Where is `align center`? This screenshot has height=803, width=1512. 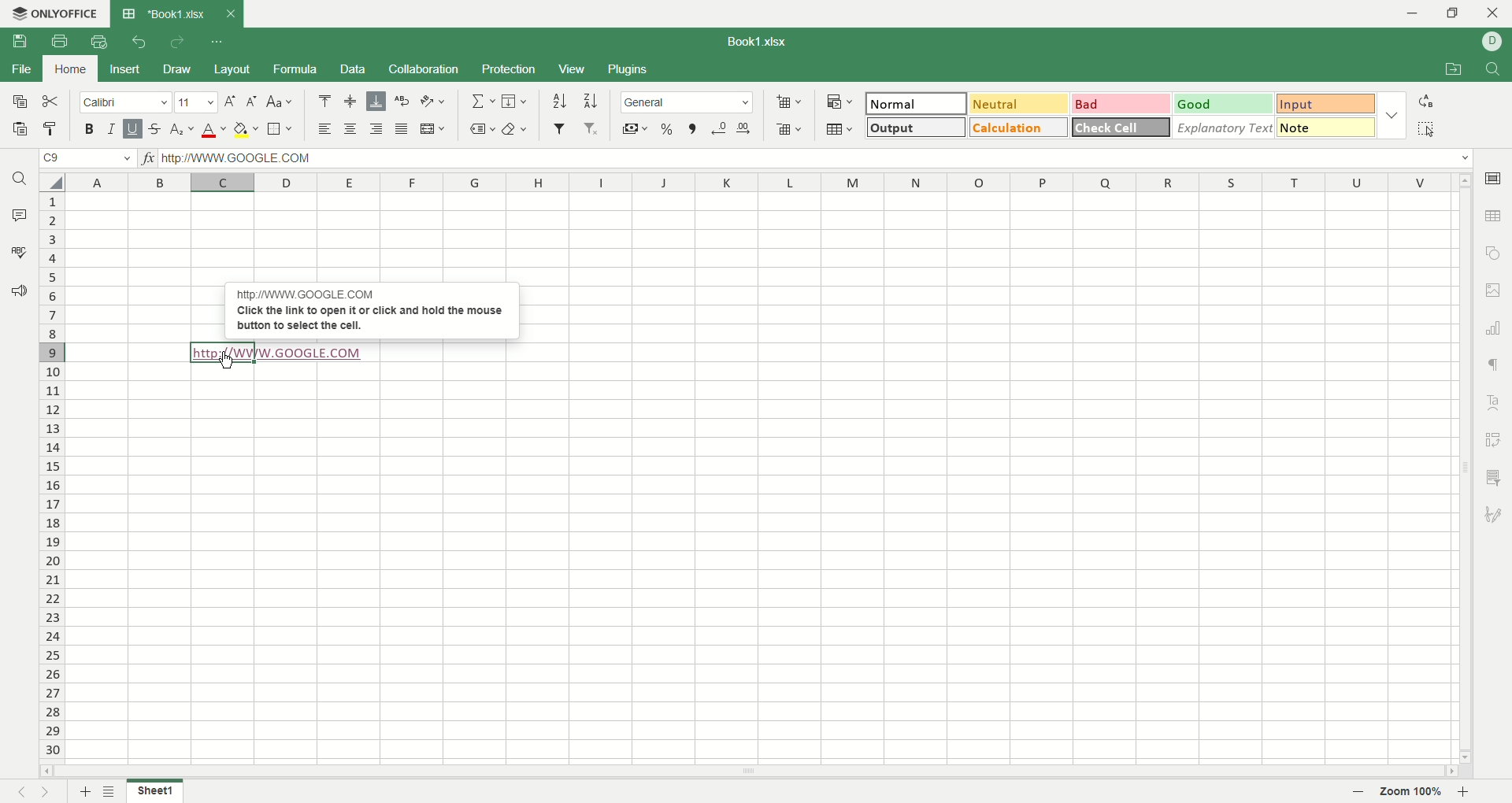 align center is located at coordinates (350, 129).